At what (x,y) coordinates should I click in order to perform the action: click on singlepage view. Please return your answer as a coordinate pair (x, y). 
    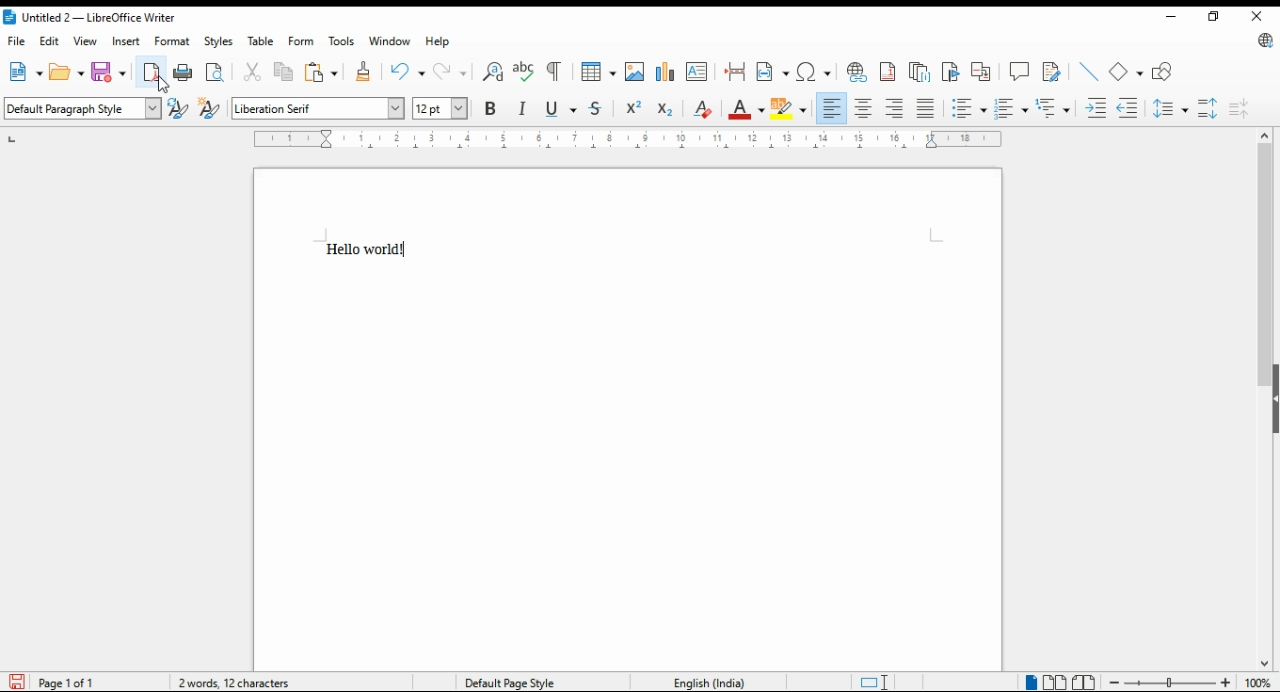
    Looking at the image, I should click on (1029, 682).